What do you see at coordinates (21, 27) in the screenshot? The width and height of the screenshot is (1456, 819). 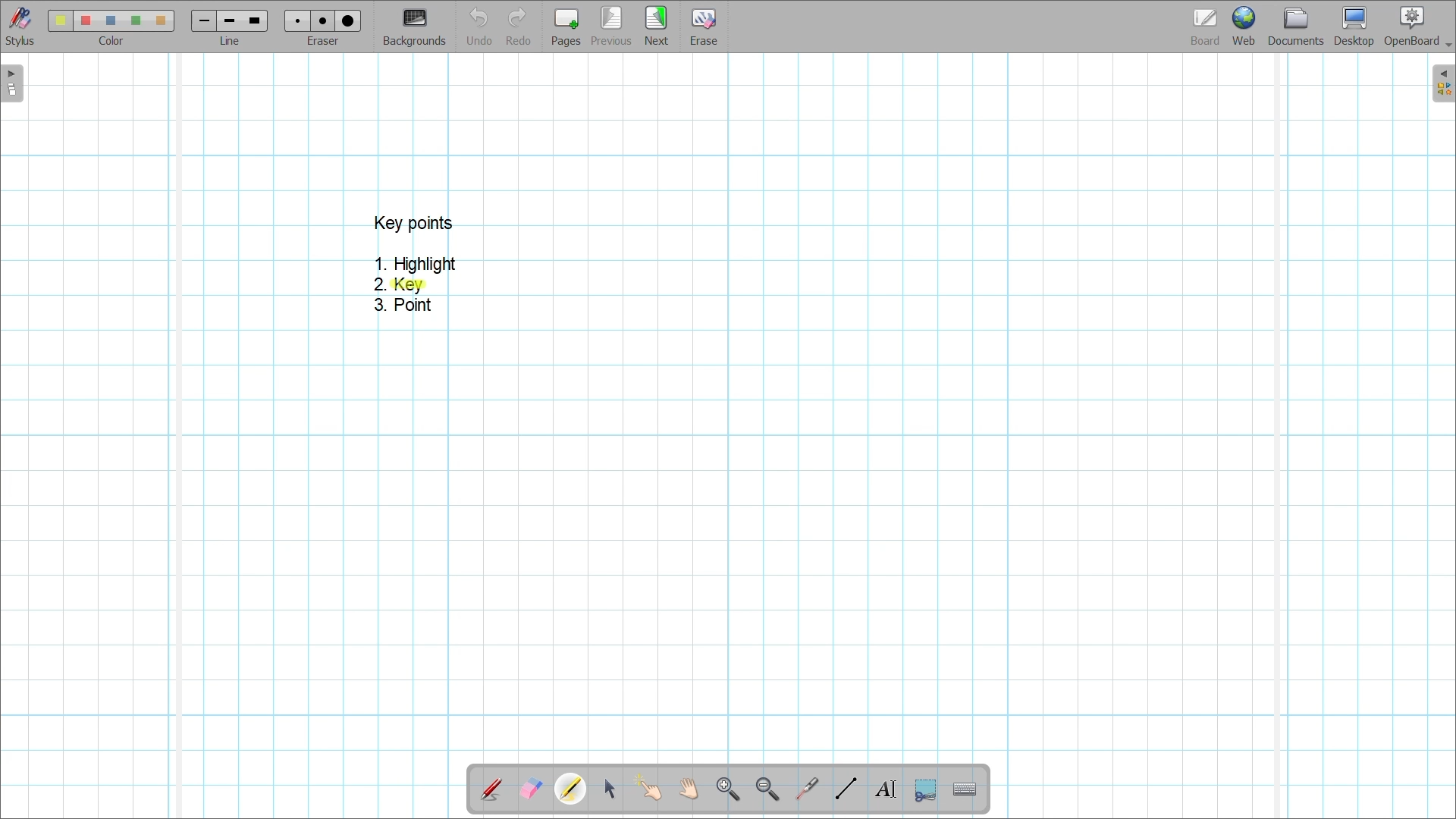 I see `Stylus menu at the bottom of the page` at bounding box center [21, 27].